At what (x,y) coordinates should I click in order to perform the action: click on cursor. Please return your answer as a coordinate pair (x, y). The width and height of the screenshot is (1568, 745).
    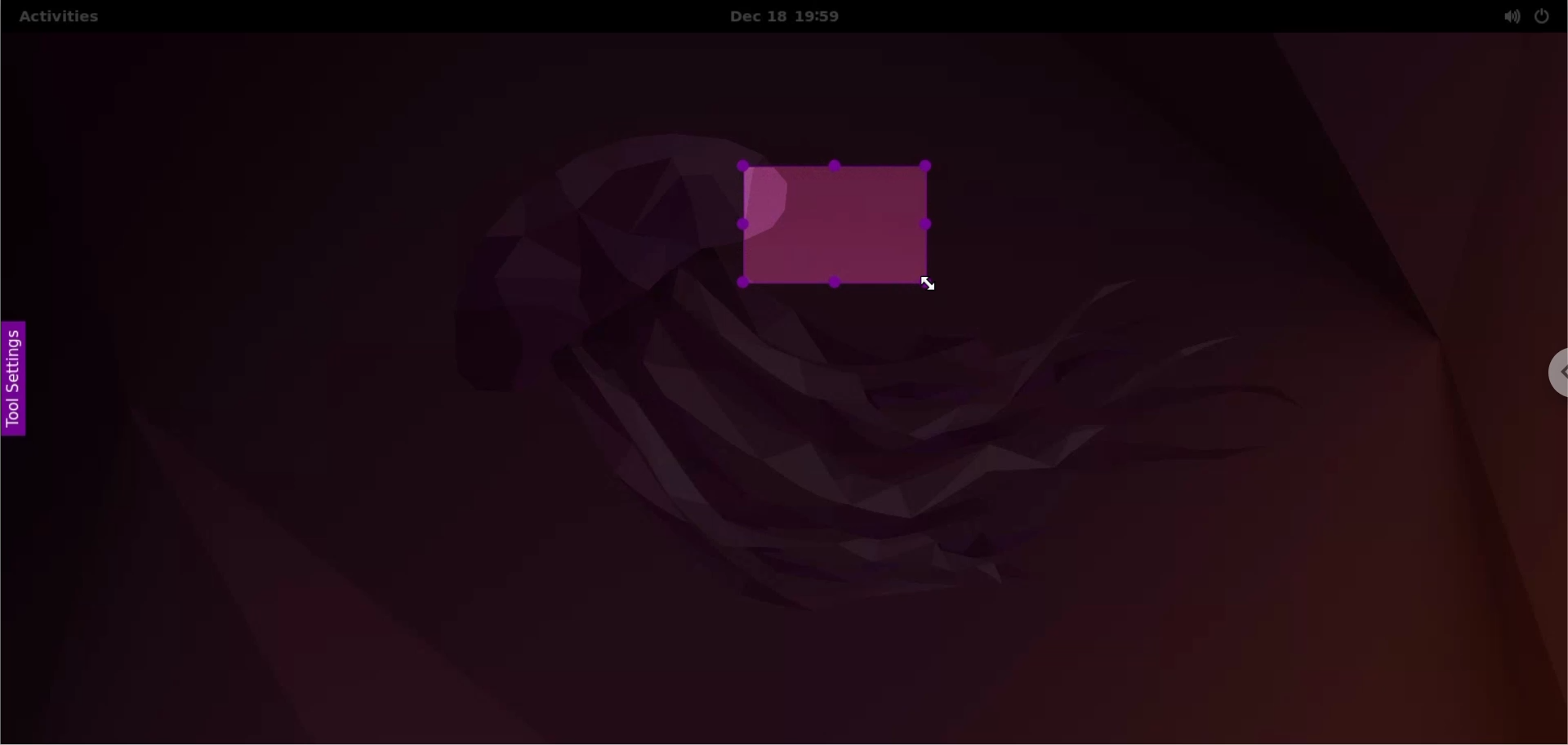
    Looking at the image, I should click on (935, 288).